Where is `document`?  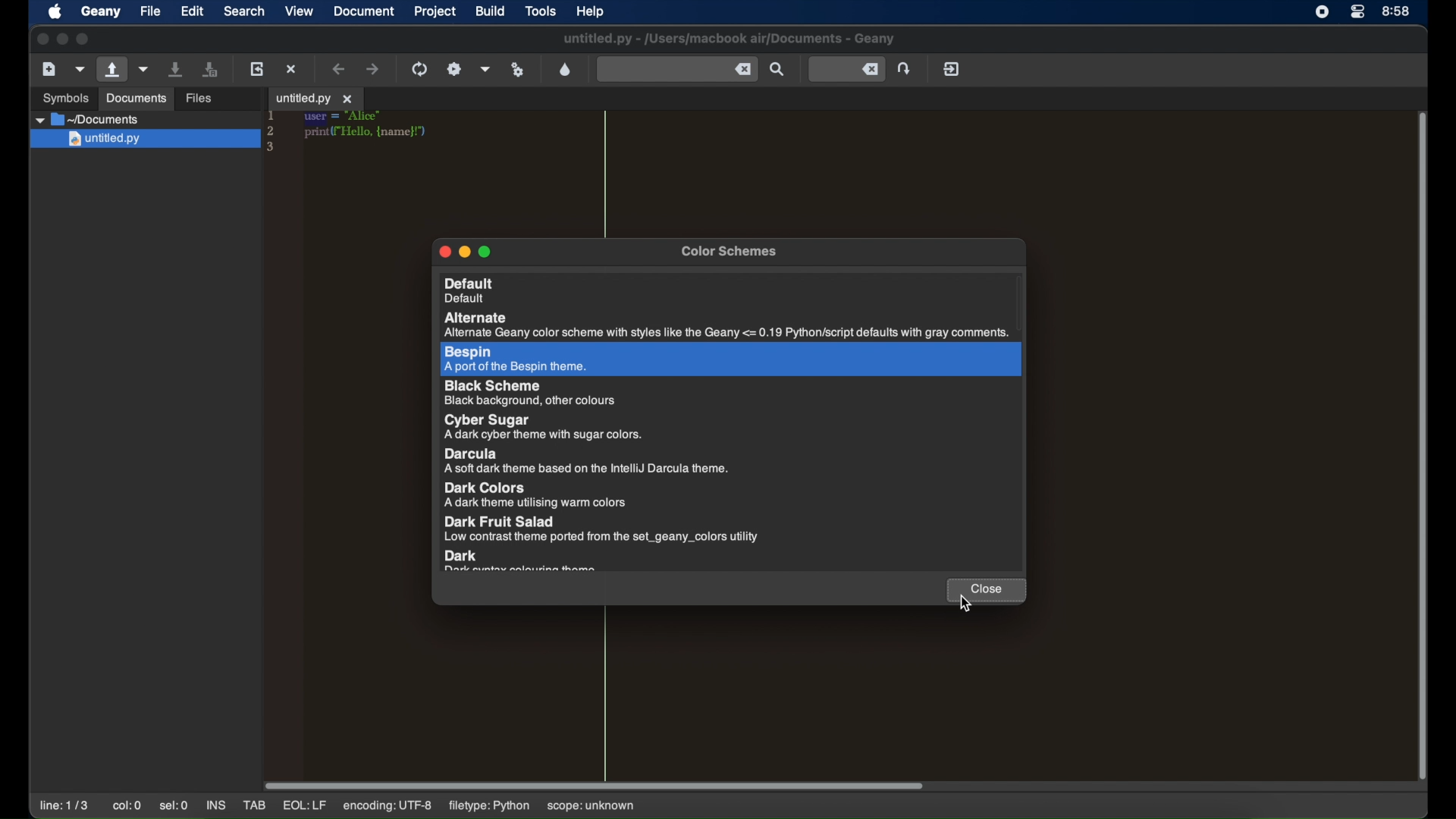
document is located at coordinates (365, 11).